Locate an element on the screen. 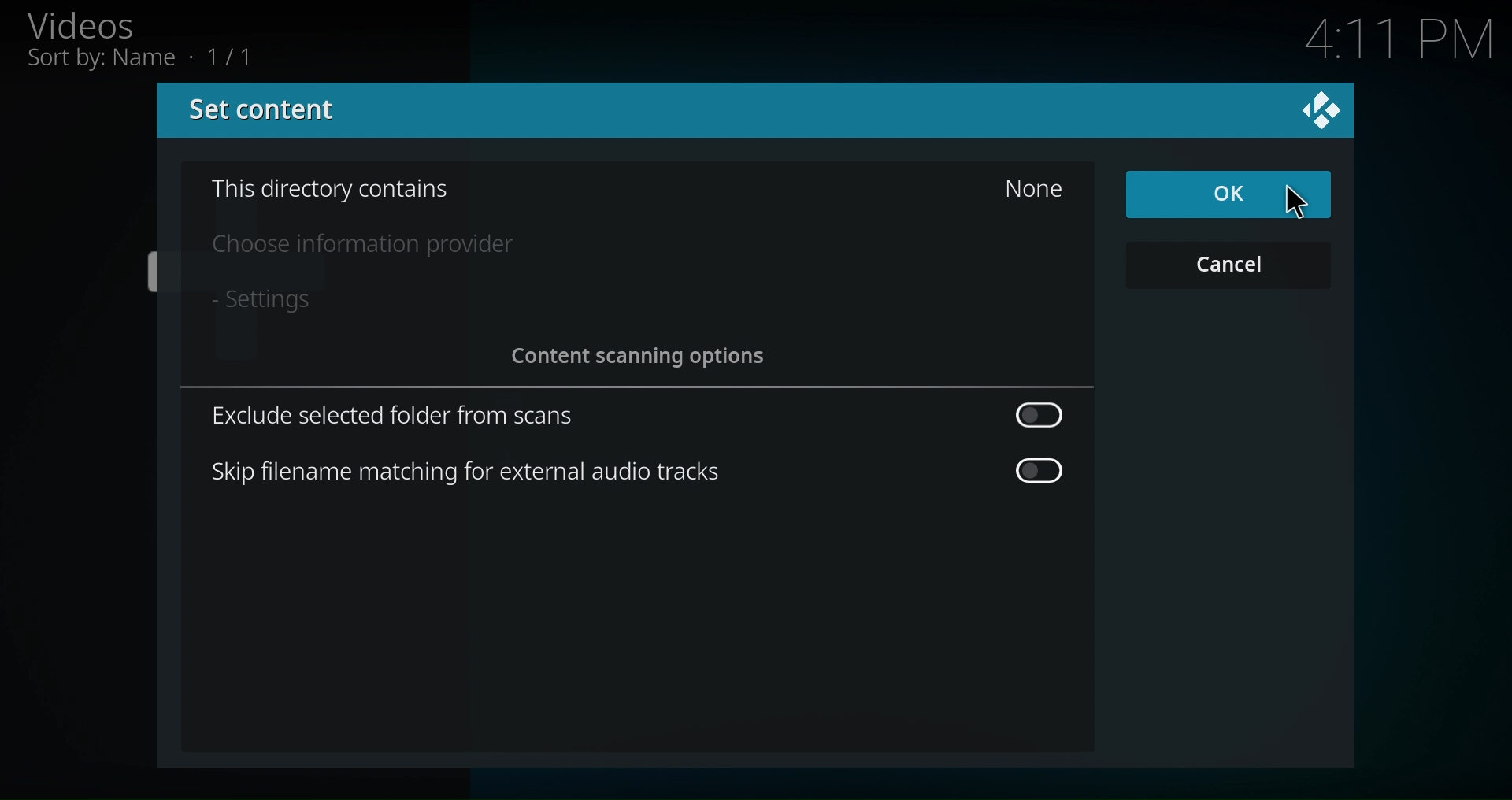  Exclude selected folder from scans is located at coordinates (394, 412).